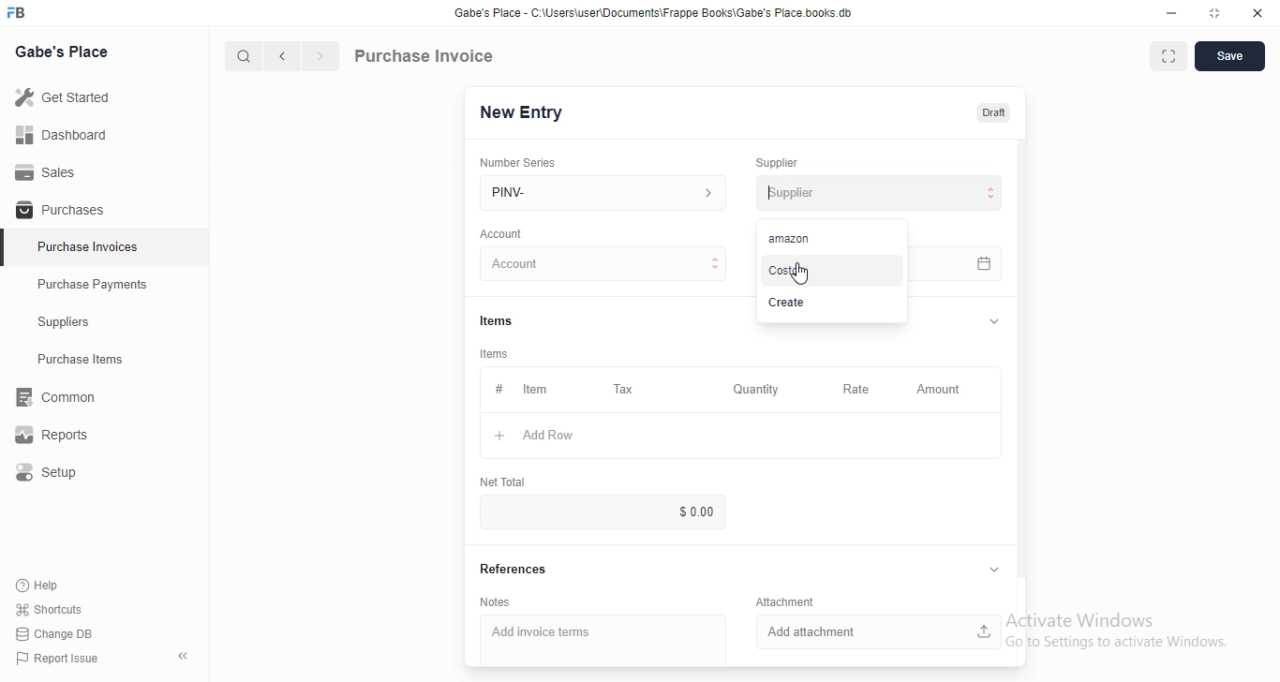  Describe the element at coordinates (104, 321) in the screenshot. I see `Suppliers` at that location.